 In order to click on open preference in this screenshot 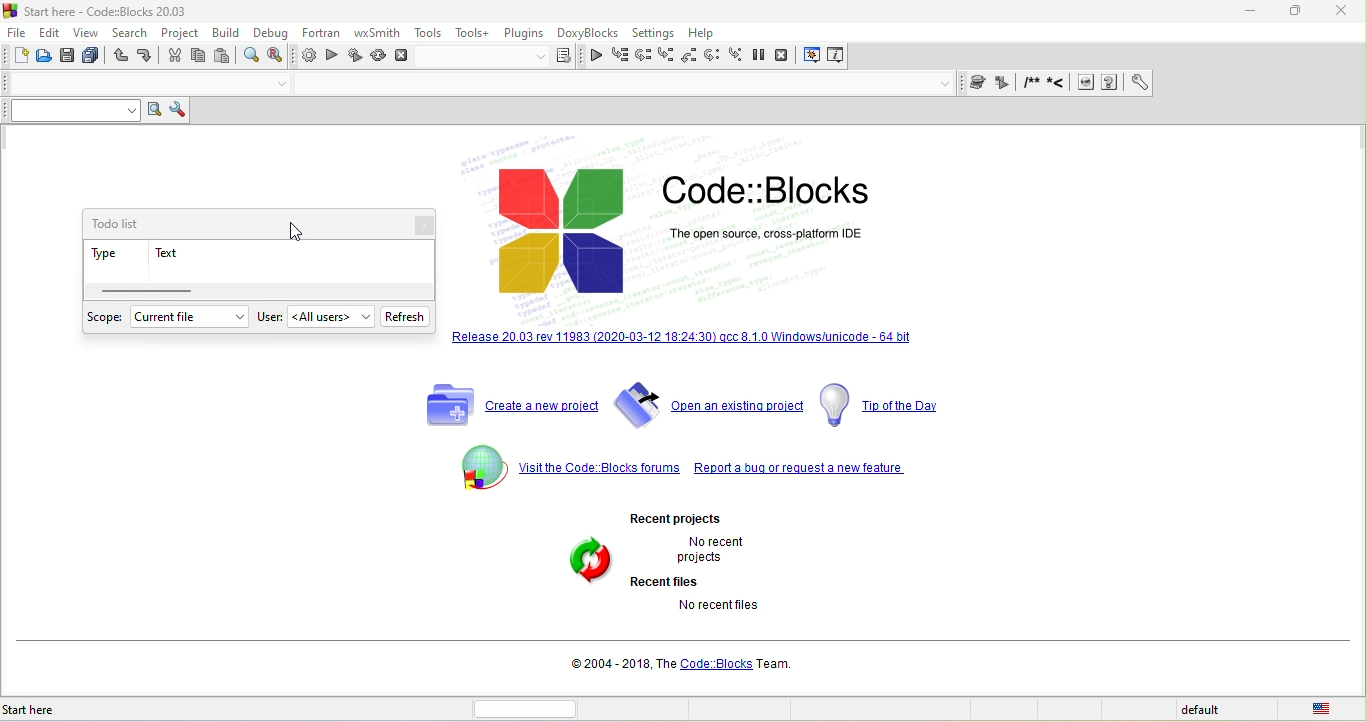, I will do `click(1140, 83)`.